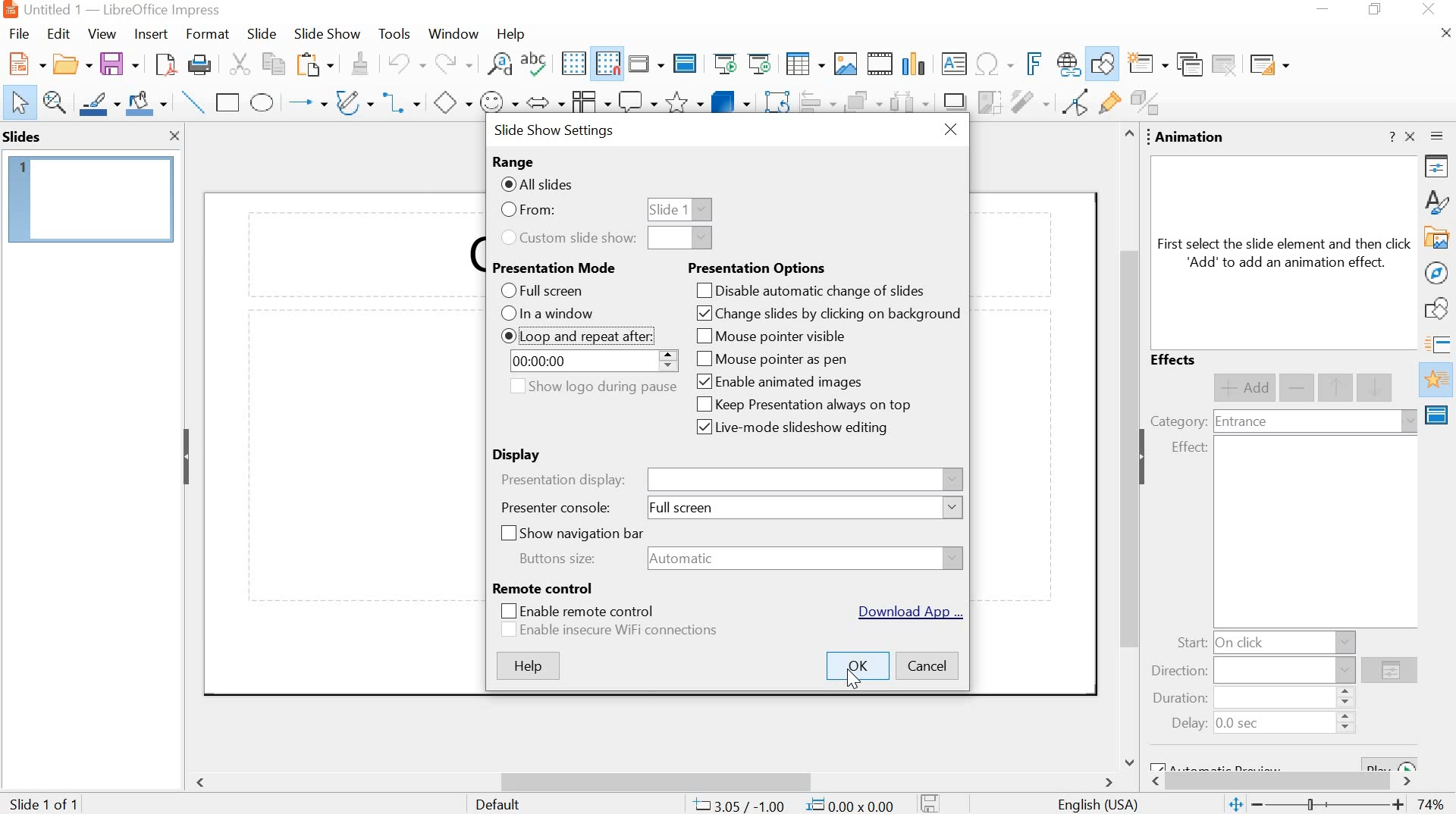 Image resolution: width=1456 pixels, height=814 pixels. What do you see at coordinates (657, 782) in the screenshot?
I see `scroll bar` at bounding box center [657, 782].